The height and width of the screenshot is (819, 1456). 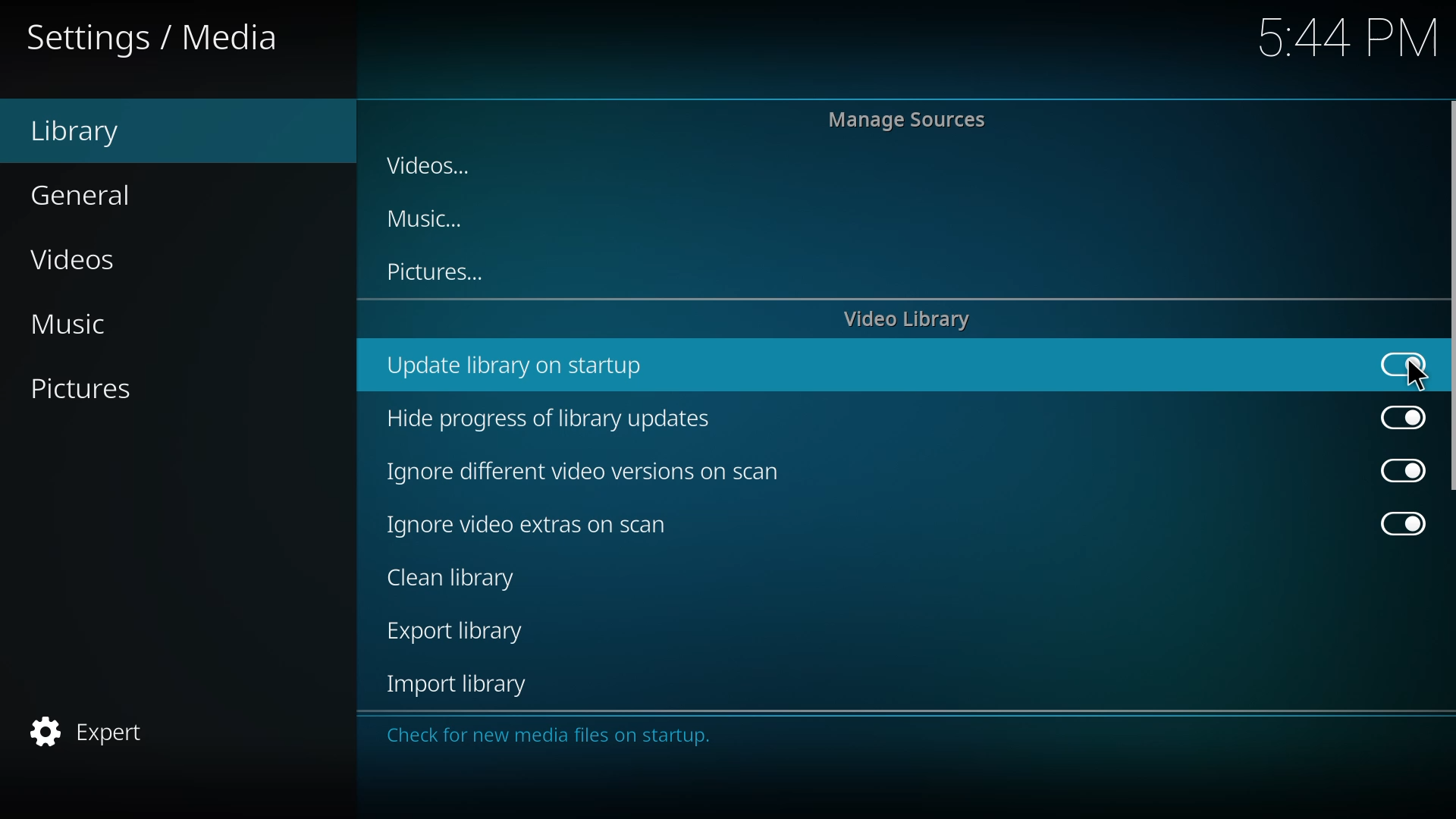 What do you see at coordinates (904, 120) in the screenshot?
I see `manage sources` at bounding box center [904, 120].